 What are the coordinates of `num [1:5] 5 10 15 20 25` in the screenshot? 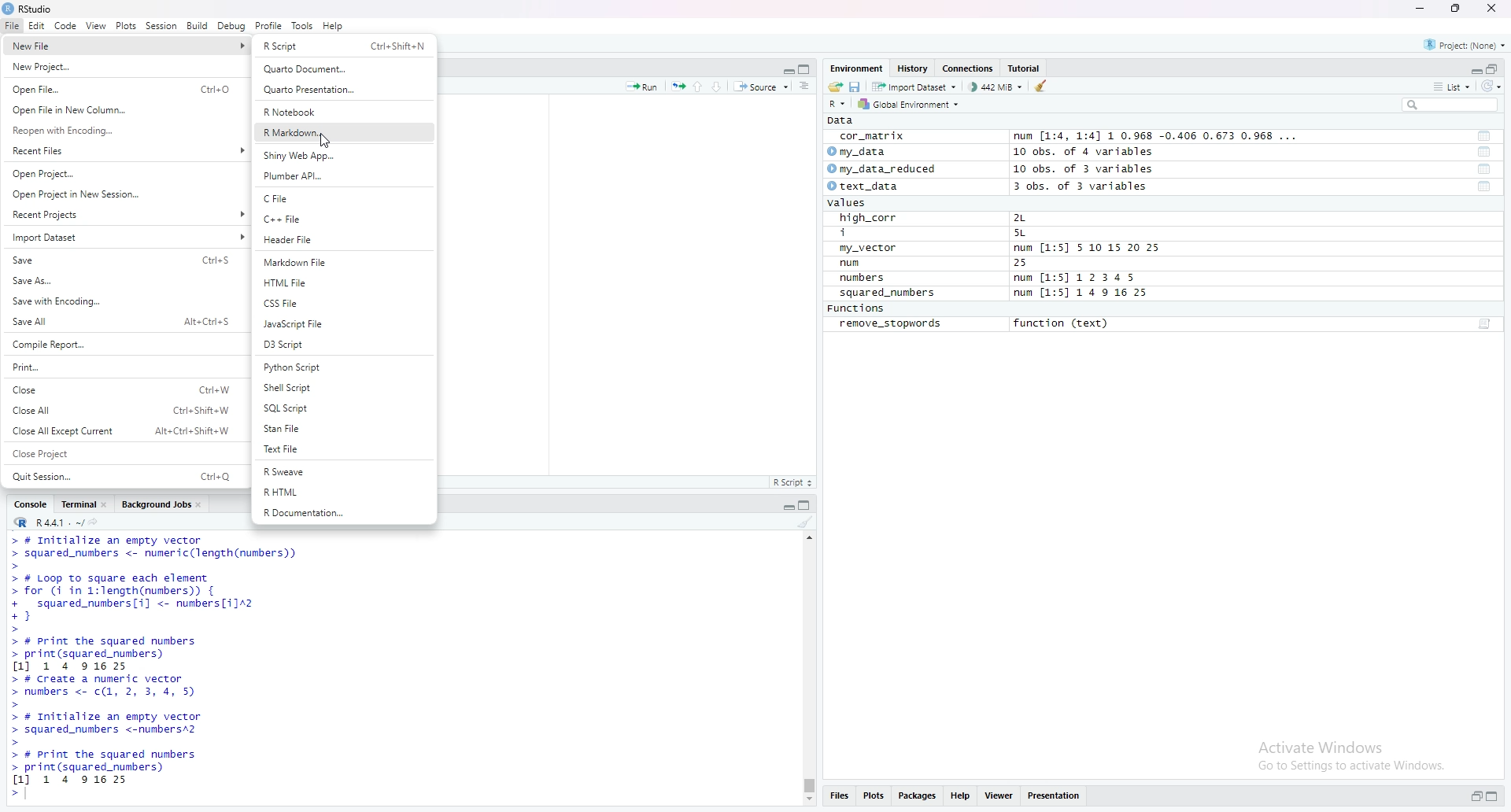 It's located at (1086, 247).